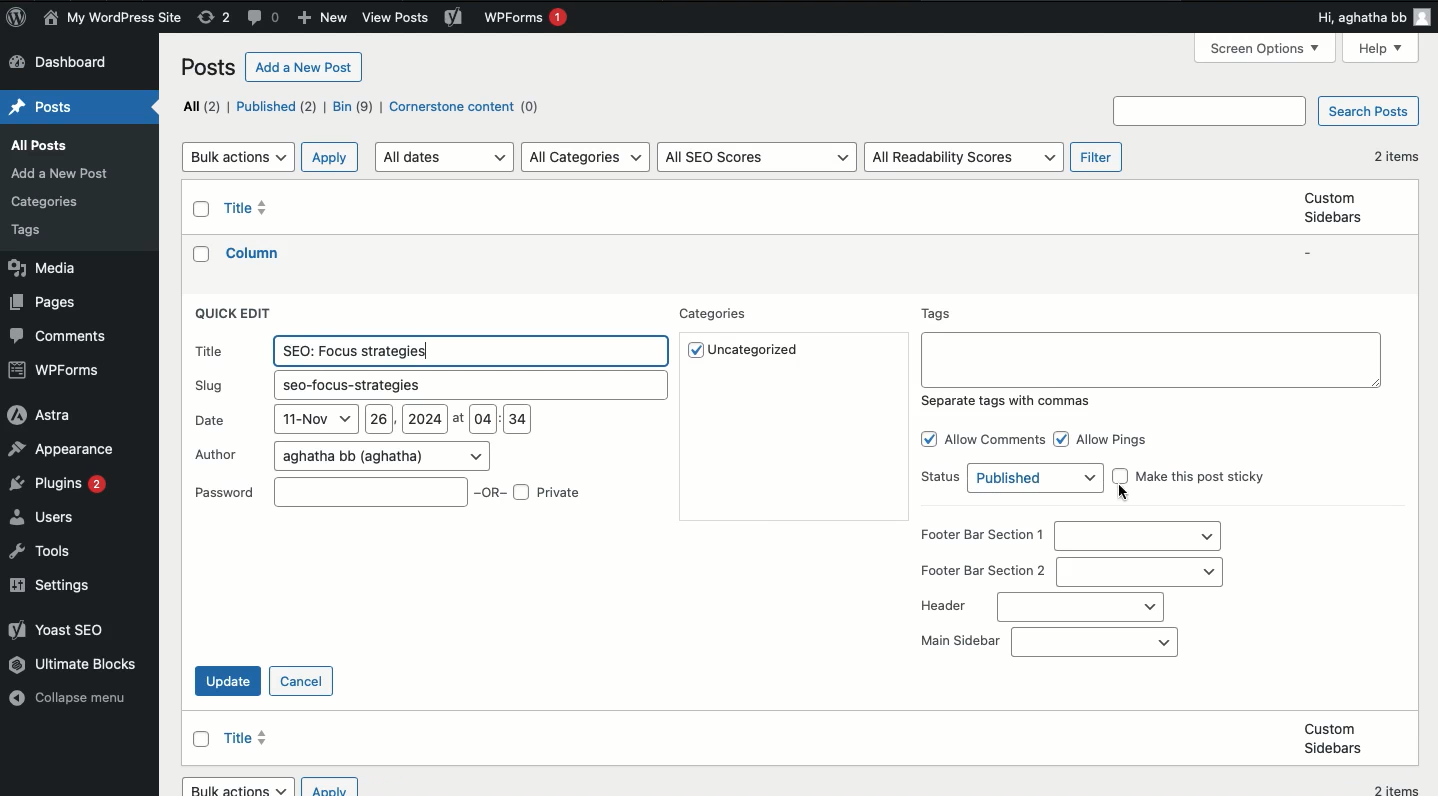 This screenshot has width=1438, height=796. What do you see at coordinates (1114, 440) in the screenshot?
I see `All pings` at bounding box center [1114, 440].